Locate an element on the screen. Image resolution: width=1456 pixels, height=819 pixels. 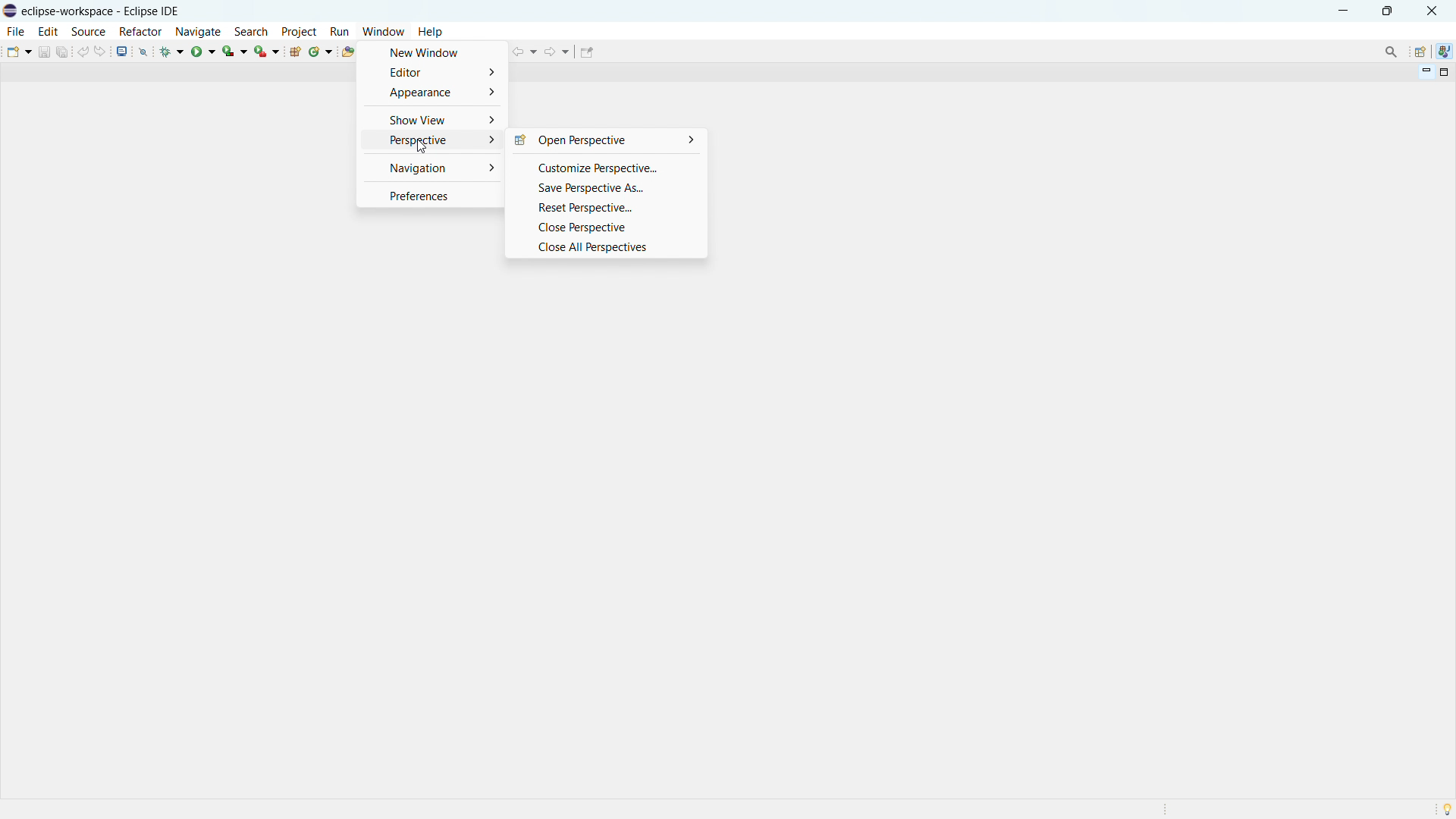
close perspective is located at coordinates (606, 227).